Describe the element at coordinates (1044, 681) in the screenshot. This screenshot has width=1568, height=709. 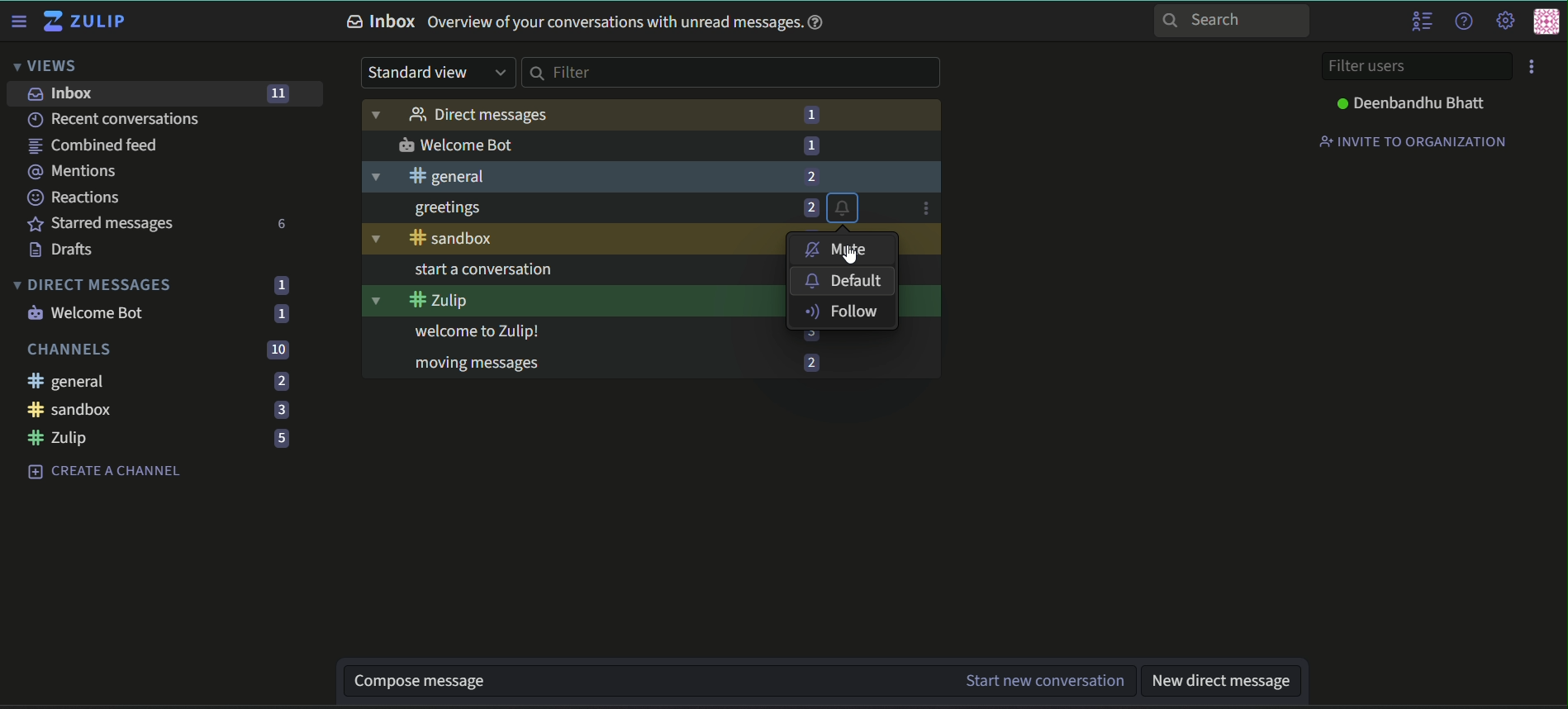
I see `start new conversation` at that location.